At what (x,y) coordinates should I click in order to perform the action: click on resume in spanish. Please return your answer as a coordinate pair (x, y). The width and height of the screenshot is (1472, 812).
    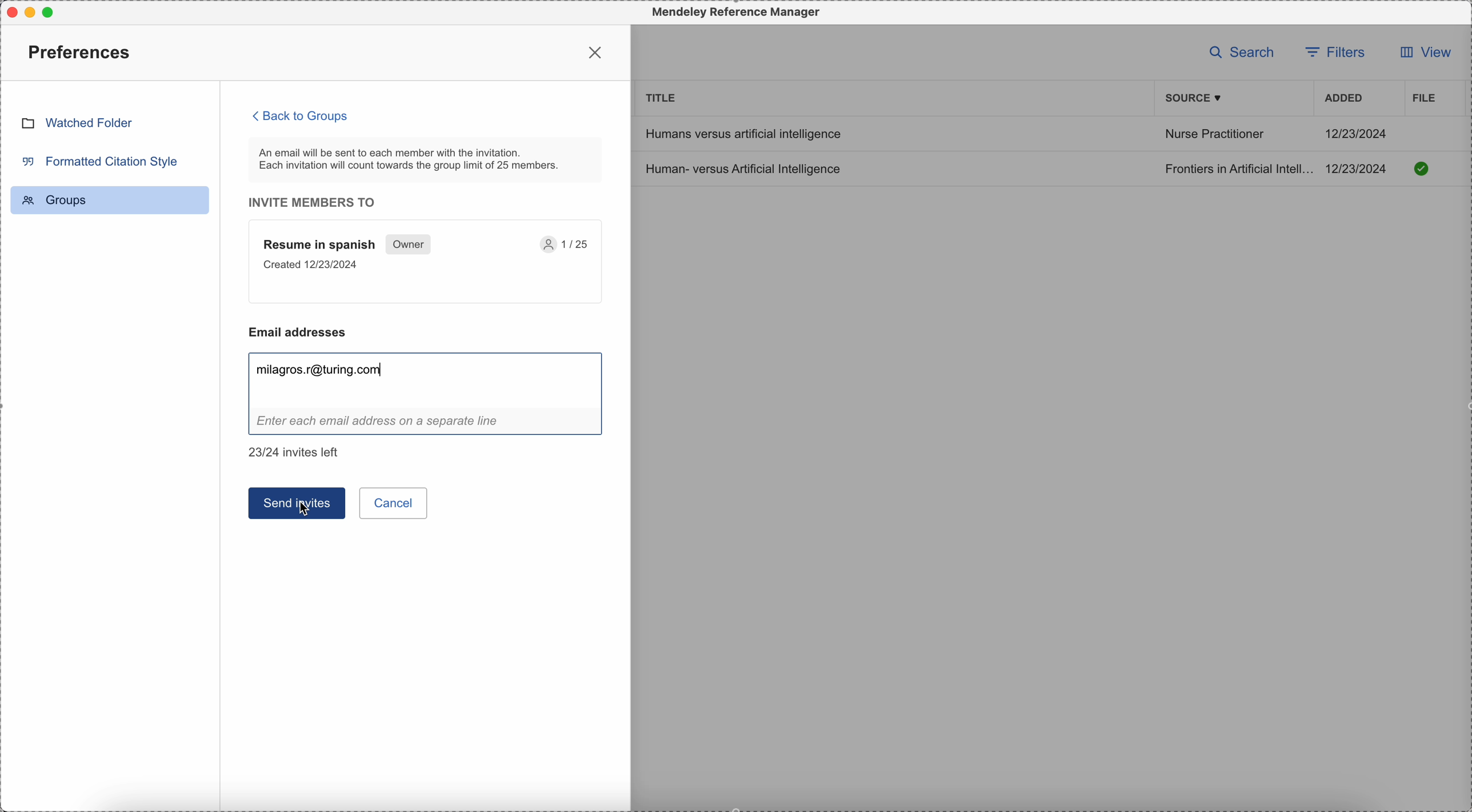
    Looking at the image, I should click on (426, 262).